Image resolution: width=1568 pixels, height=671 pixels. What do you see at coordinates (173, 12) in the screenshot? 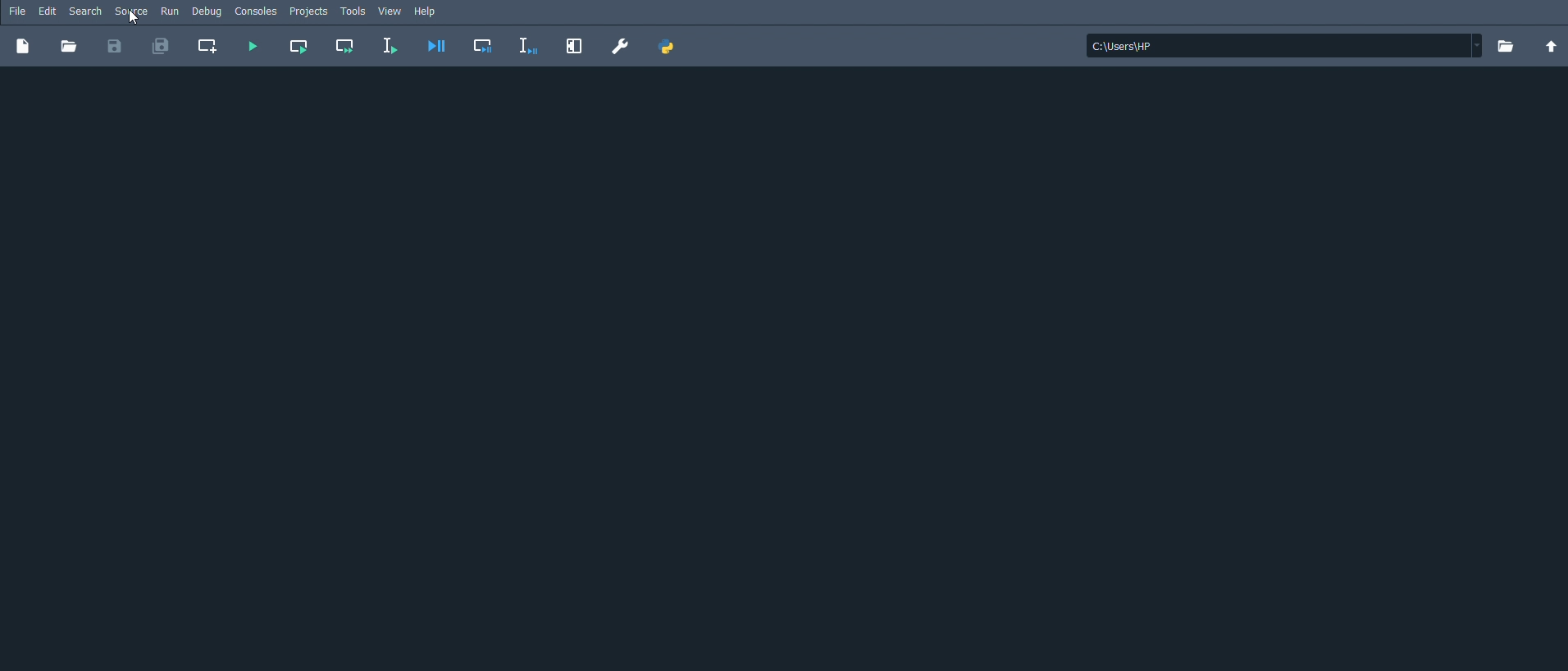
I see `Run` at bounding box center [173, 12].